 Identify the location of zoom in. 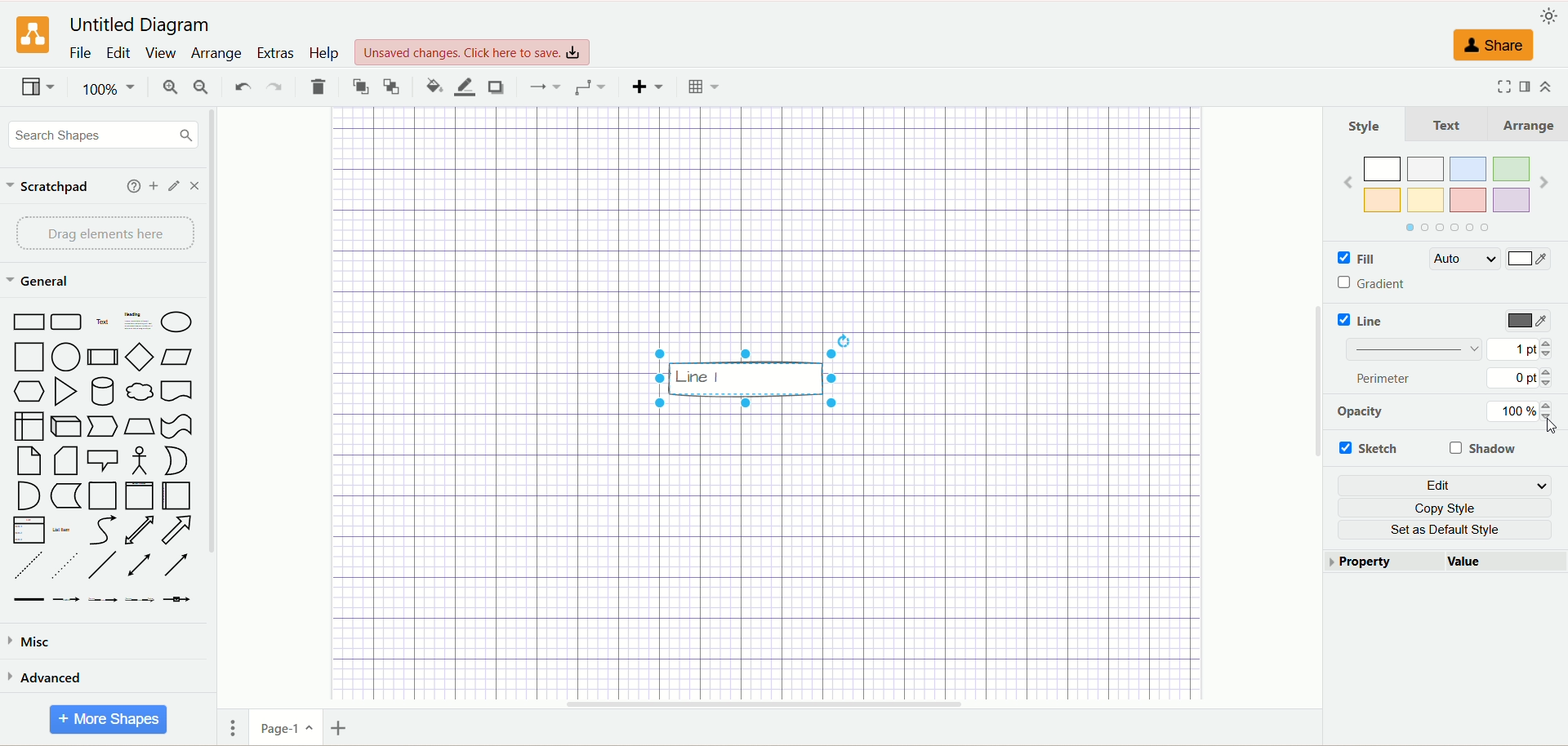
(167, 87).